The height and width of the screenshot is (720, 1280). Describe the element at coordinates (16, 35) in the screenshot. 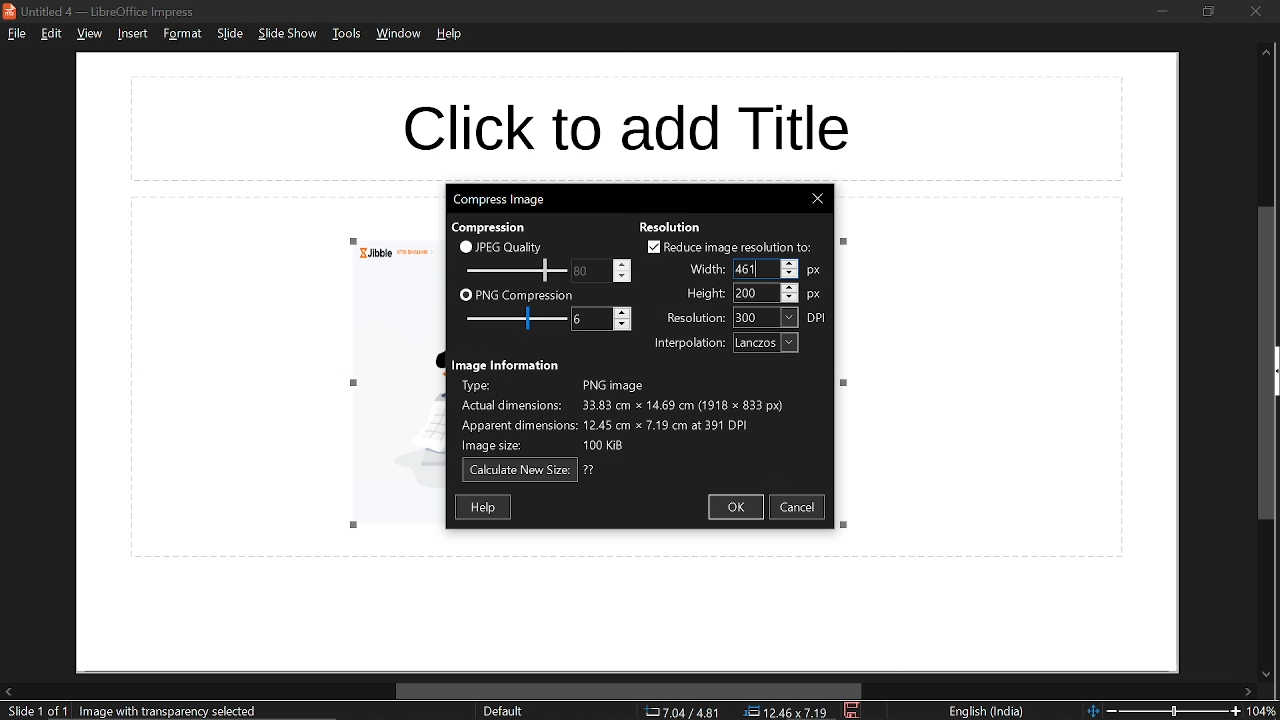

I see `file` at that location.